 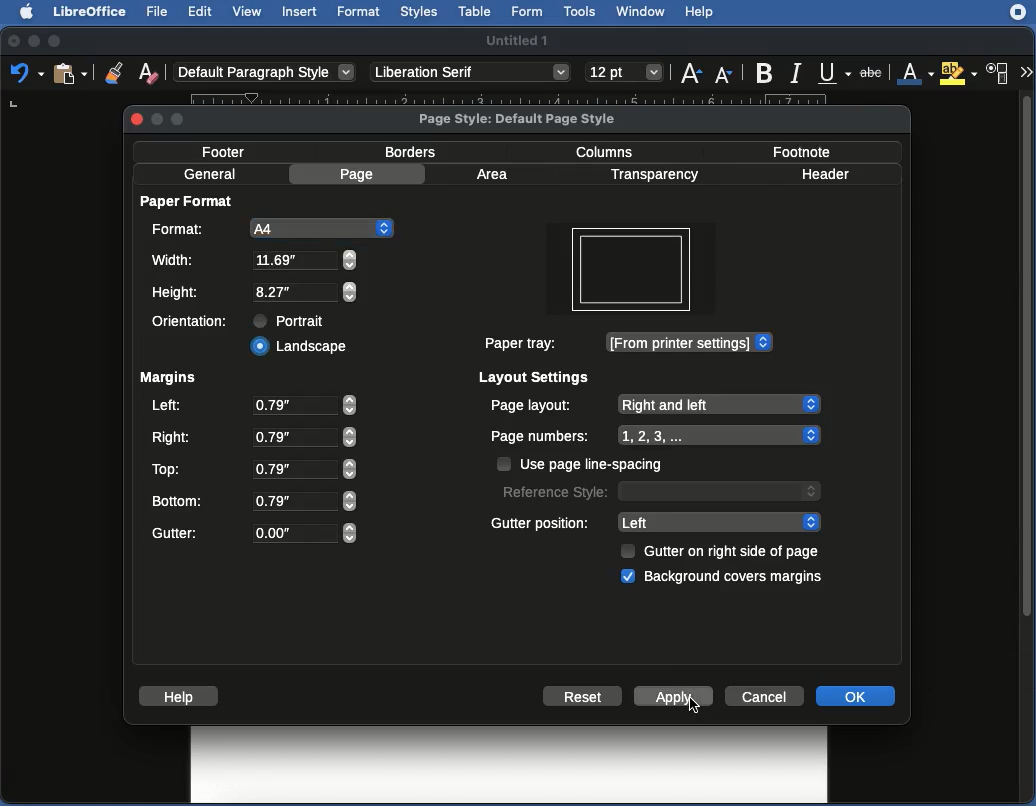 I want to click on Height , so click(x=180, y=292).